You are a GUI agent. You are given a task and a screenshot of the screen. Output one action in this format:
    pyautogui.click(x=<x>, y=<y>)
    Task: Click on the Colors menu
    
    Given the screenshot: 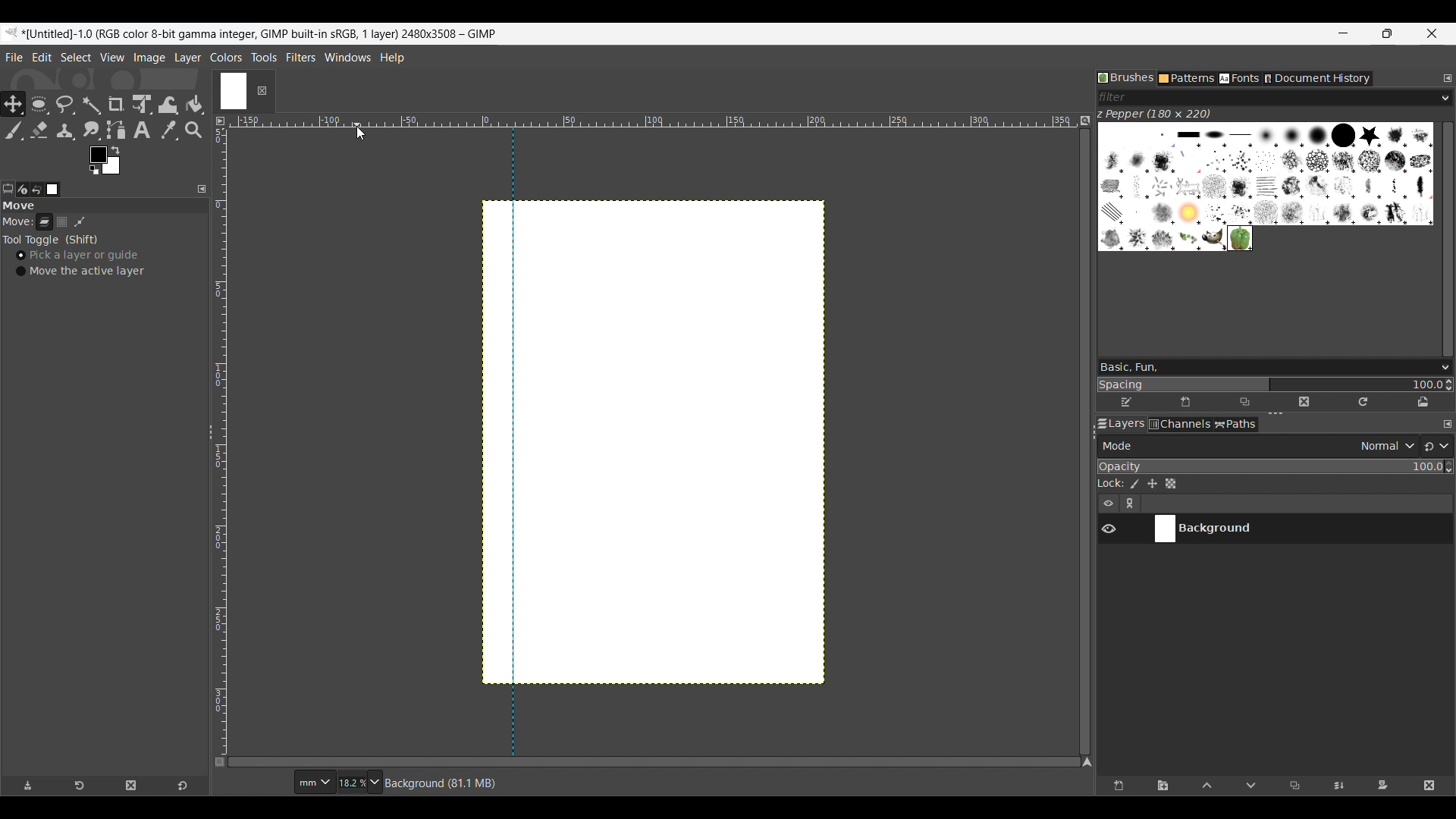 What is the action you would take?
    pyautogui.click(x=226, y=57)
    